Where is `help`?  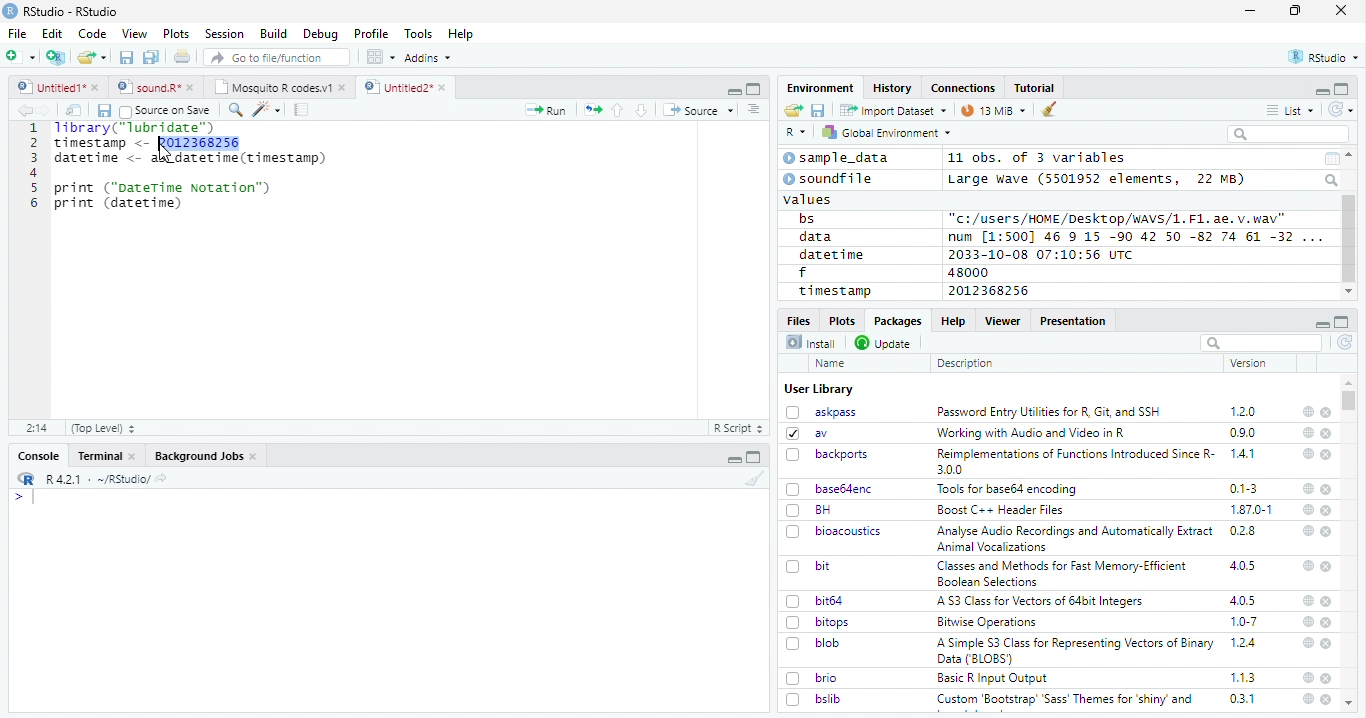 help is located at coordinates (1307, 699).